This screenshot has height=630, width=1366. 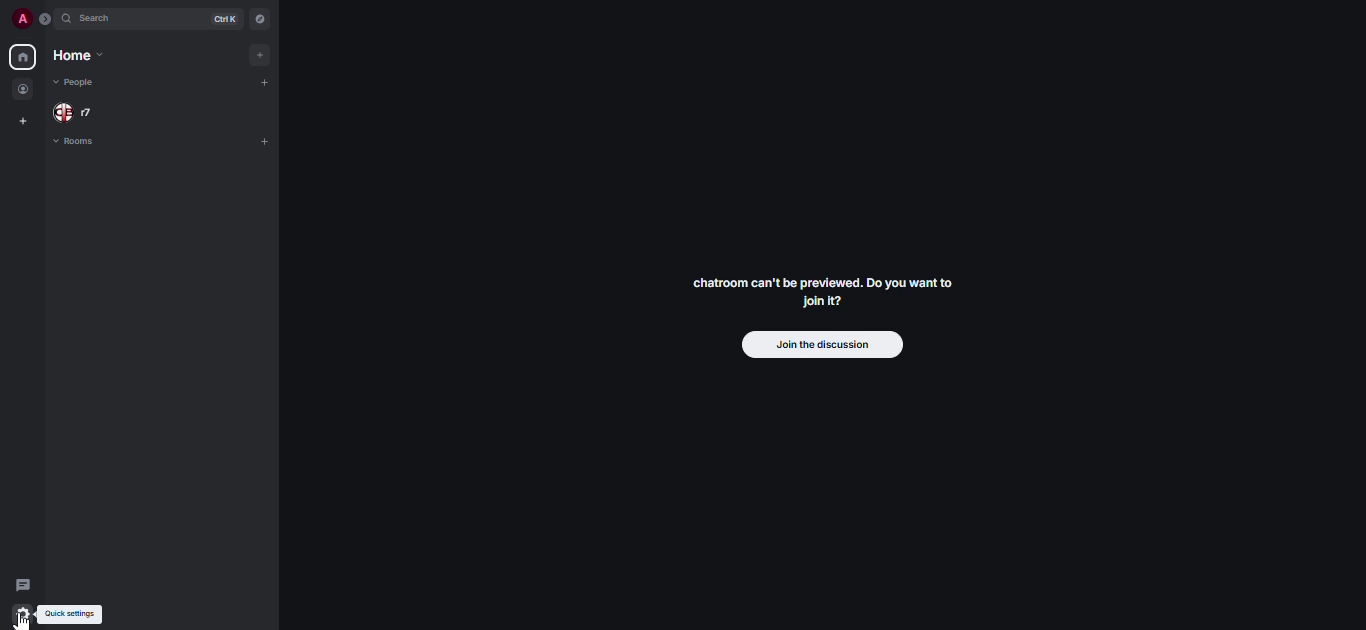 I want to click on people, so click(x=24, y=90).